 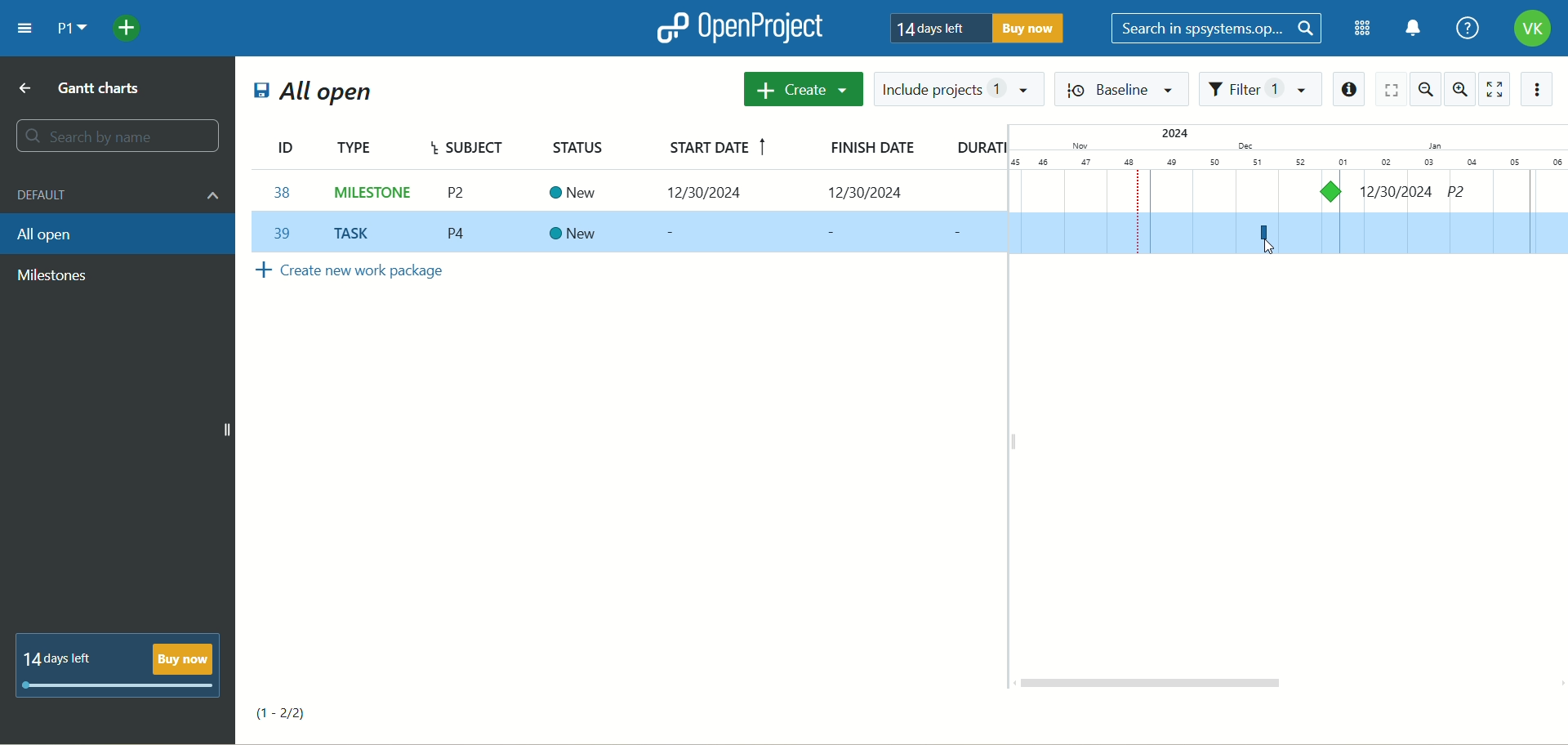 What do you see at coordinates (1350, 91) in the screenshot?
I see `information` at bounding box center [1350, 91].